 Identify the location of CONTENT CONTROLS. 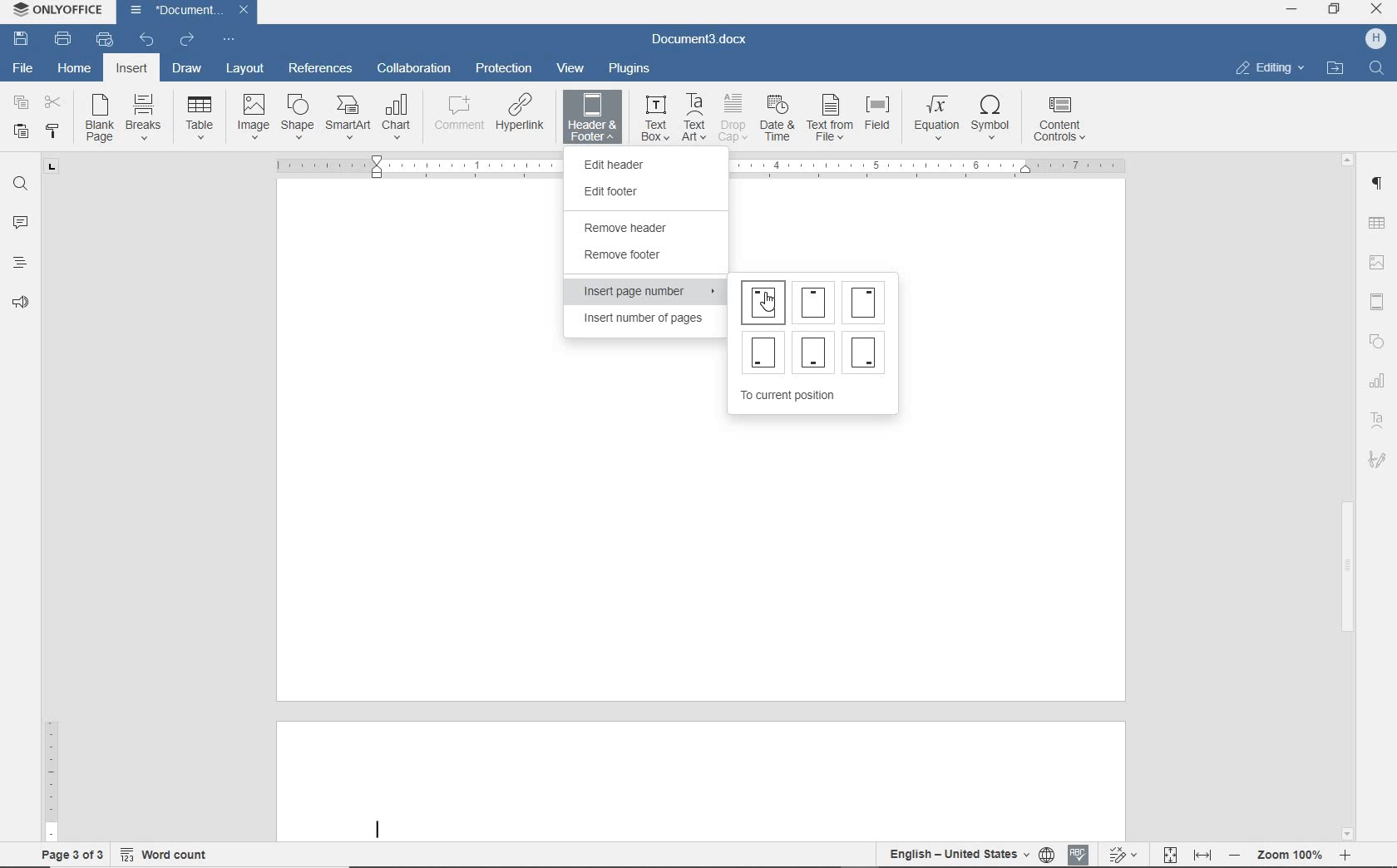
(1059, 118).